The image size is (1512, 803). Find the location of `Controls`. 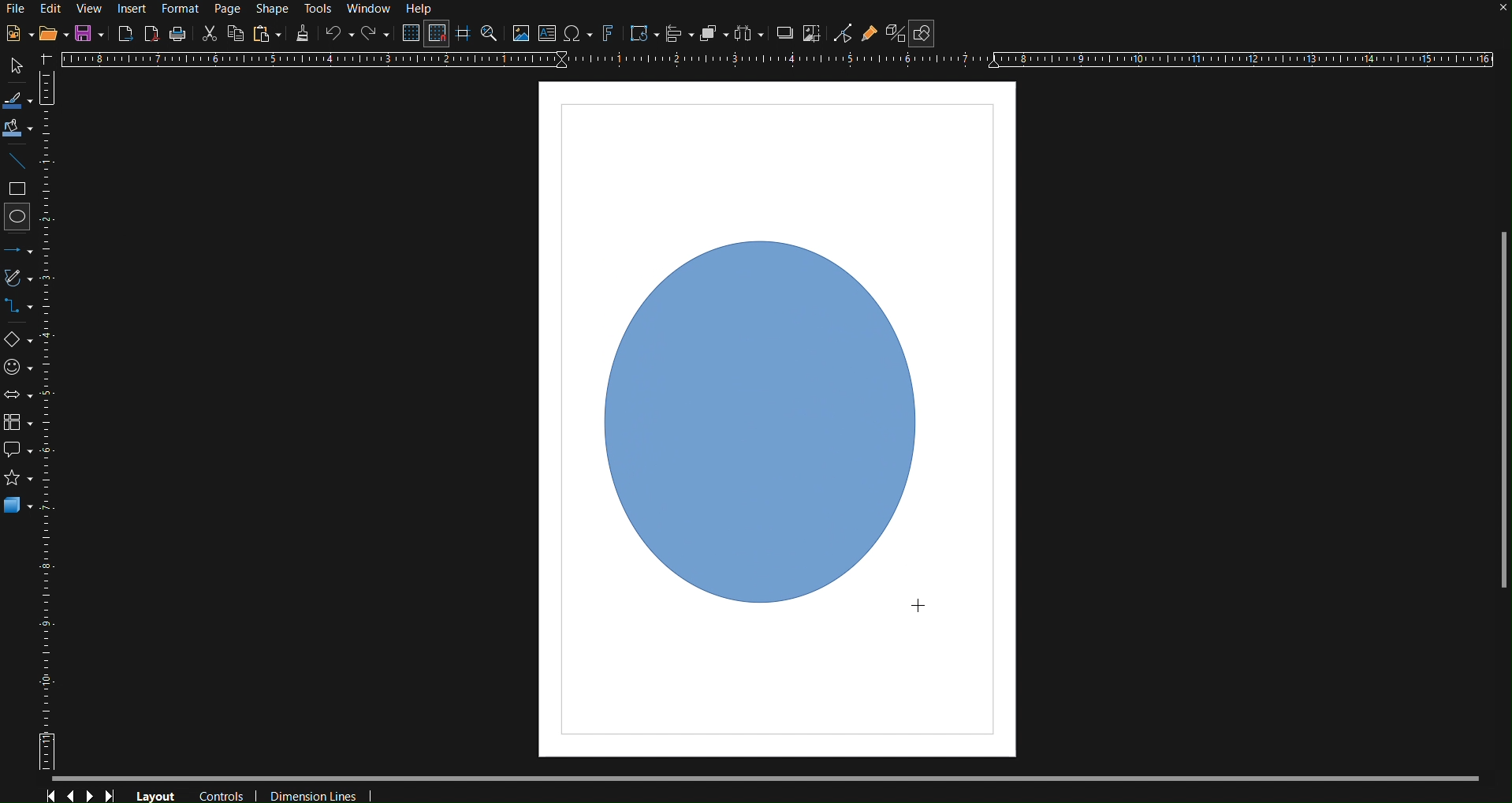

Controls is located at coordinates (82, 792).